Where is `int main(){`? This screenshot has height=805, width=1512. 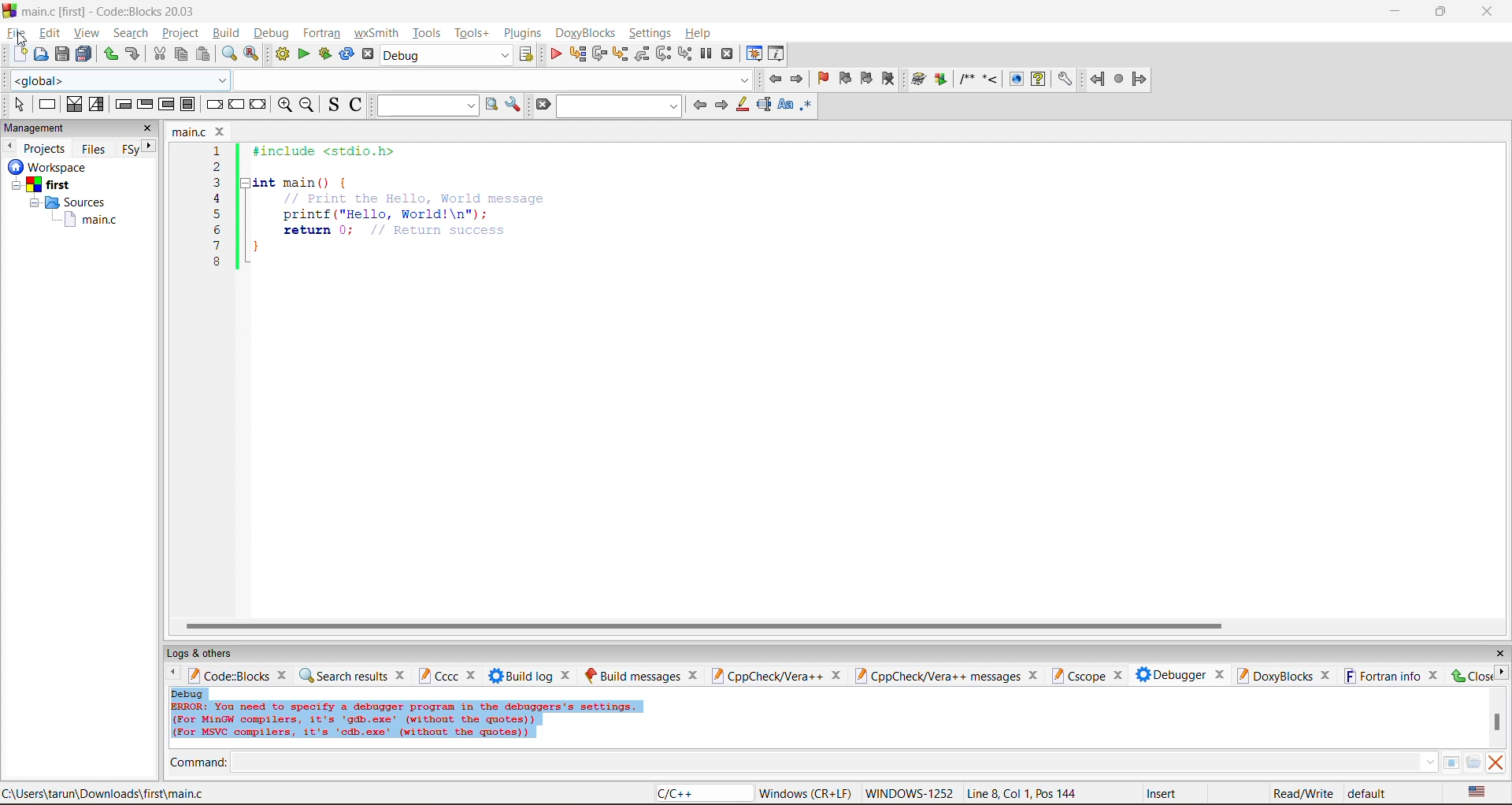
int main(){ is located at coordinates (312, 182).